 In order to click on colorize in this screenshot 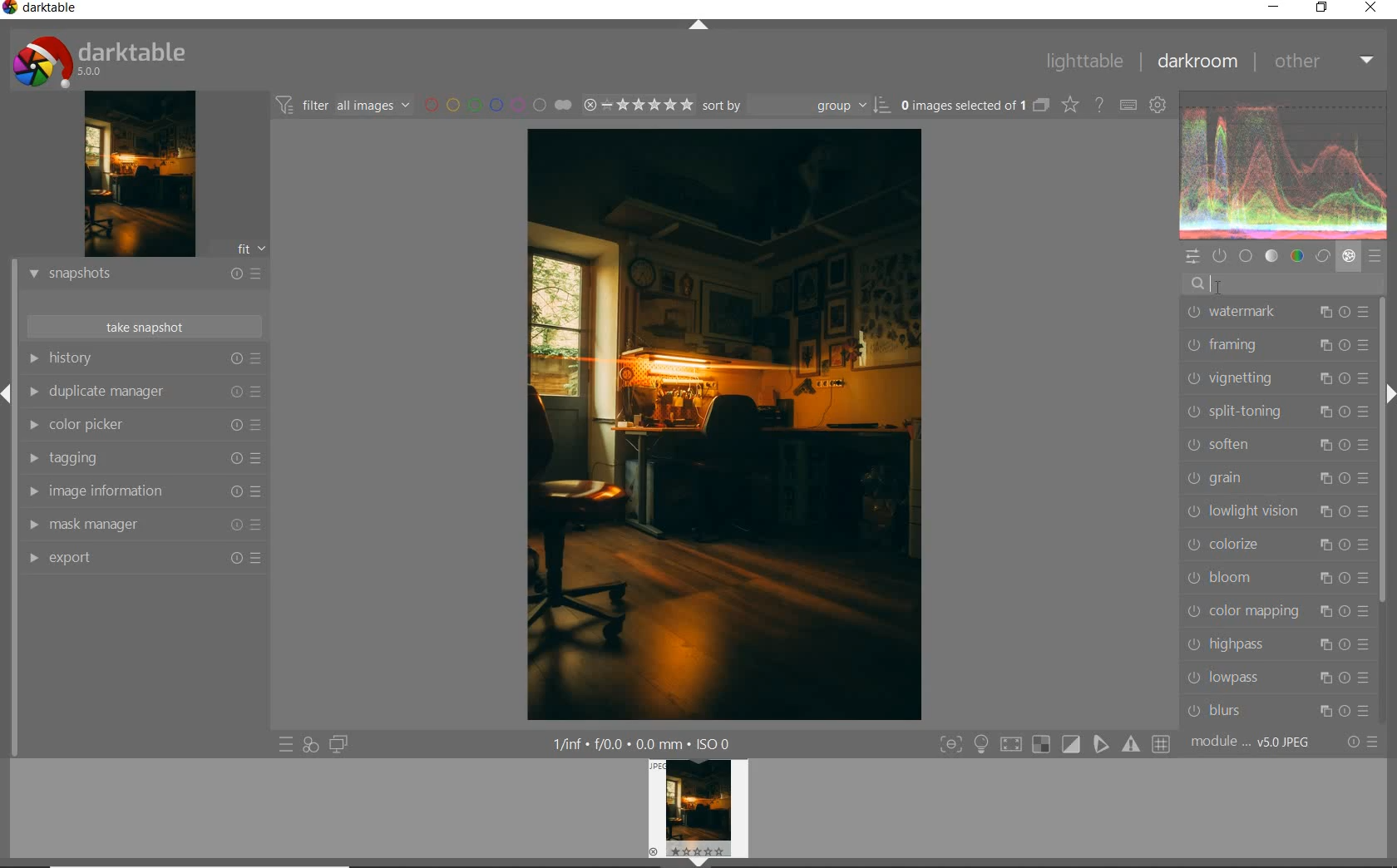, I will do `click(1275, 544)`.